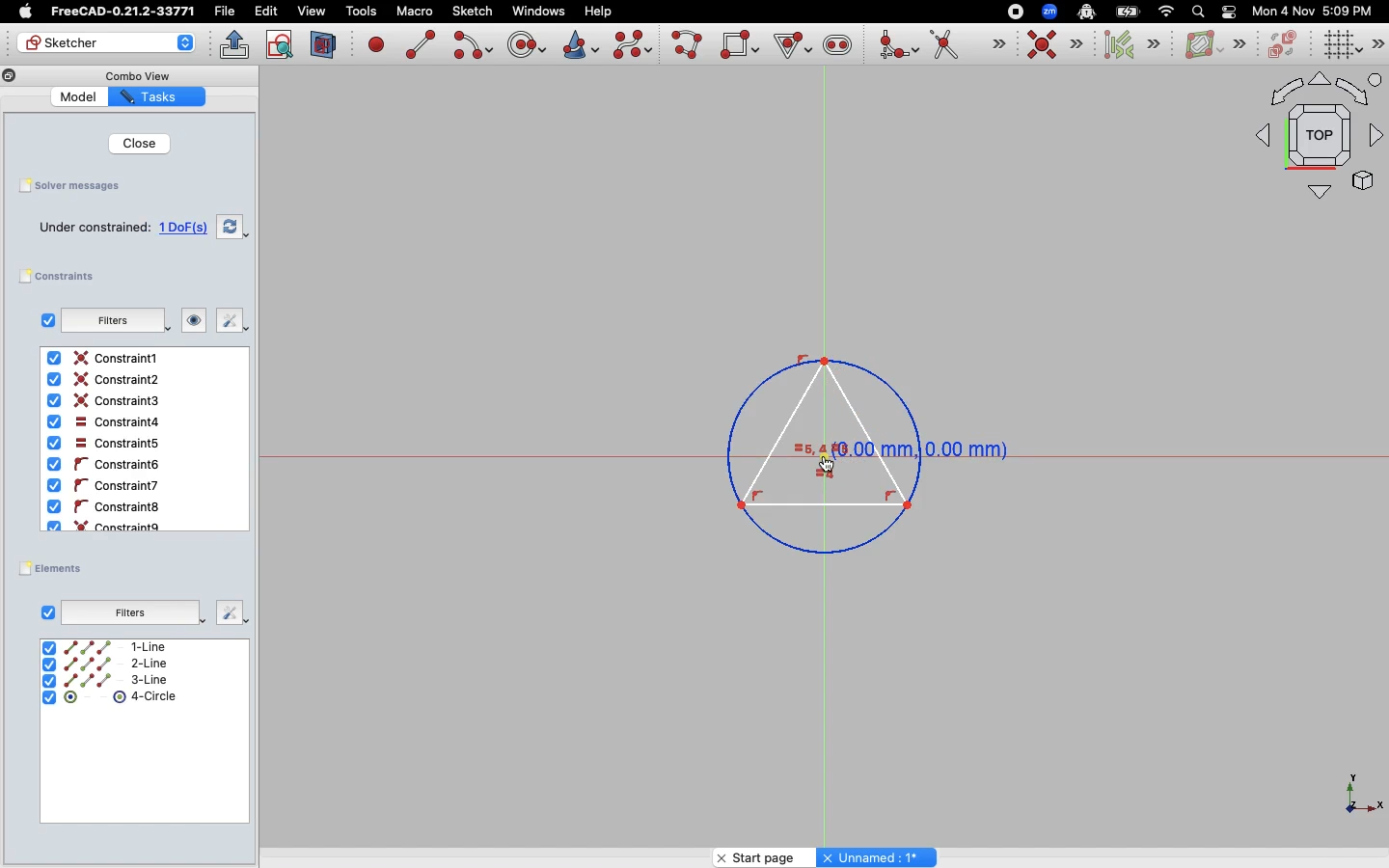 Image resolution: width=1389 pixels, height=868 pixels. What do you see at coordinates (108, 380) in the screenshot?
I see `Constraint2` at bounding box center [108, 380].